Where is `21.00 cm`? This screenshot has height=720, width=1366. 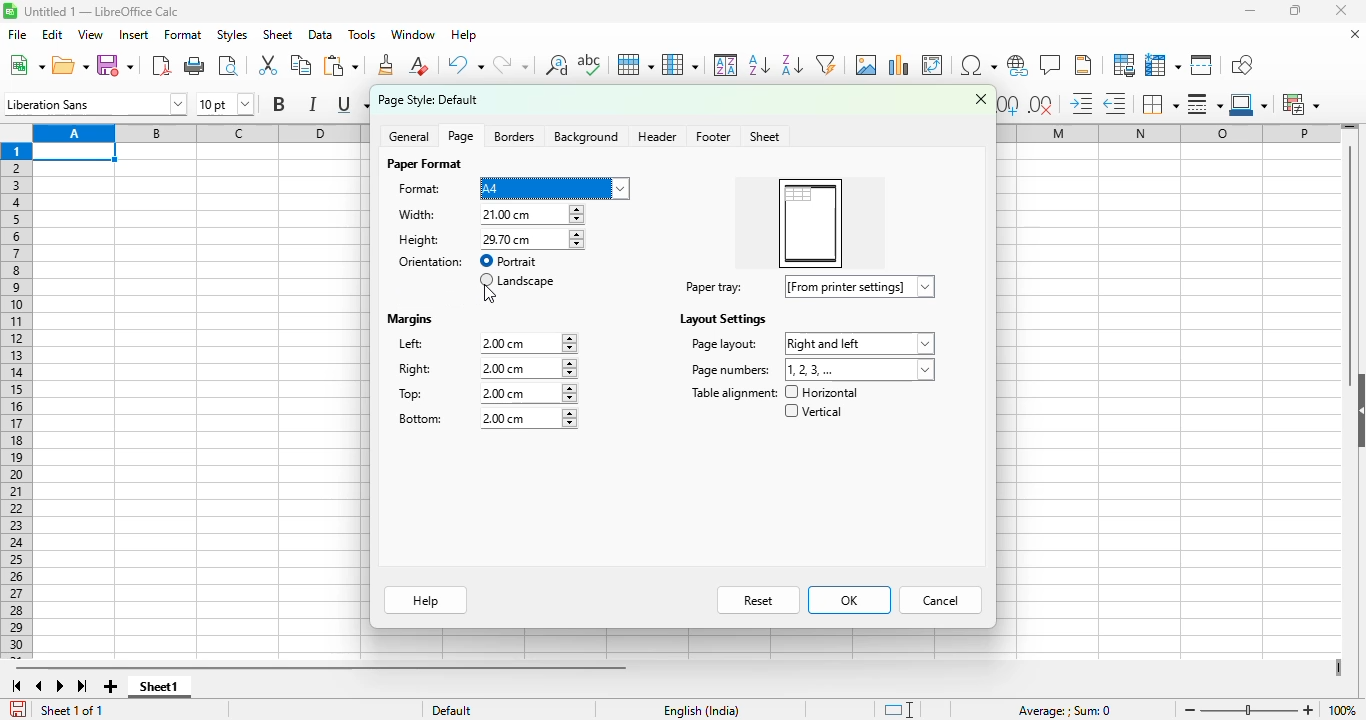
21.00 cm is located at coordinates (532, 214).